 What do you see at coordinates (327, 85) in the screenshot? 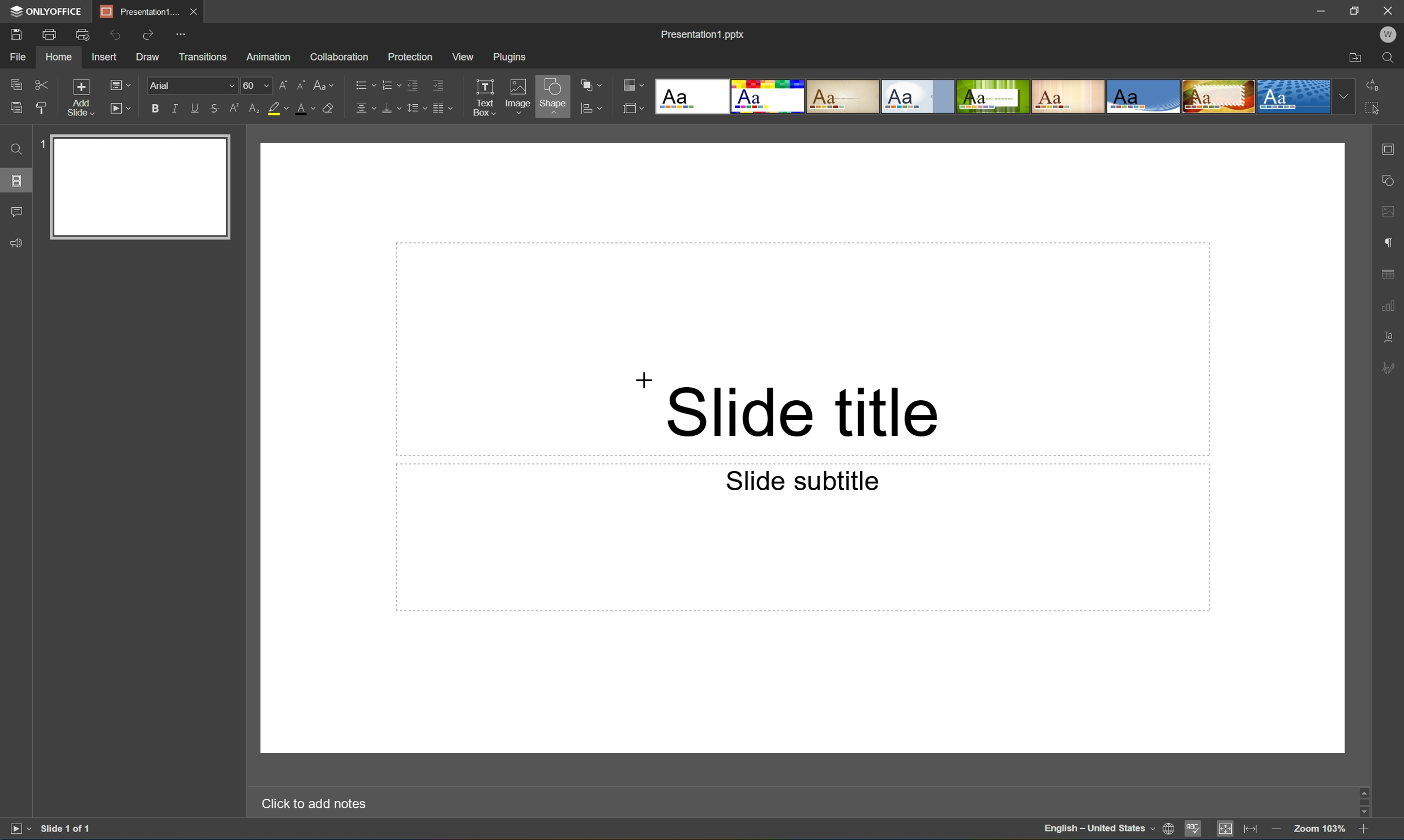
I see `Change case` at bounding box center [327, 85].